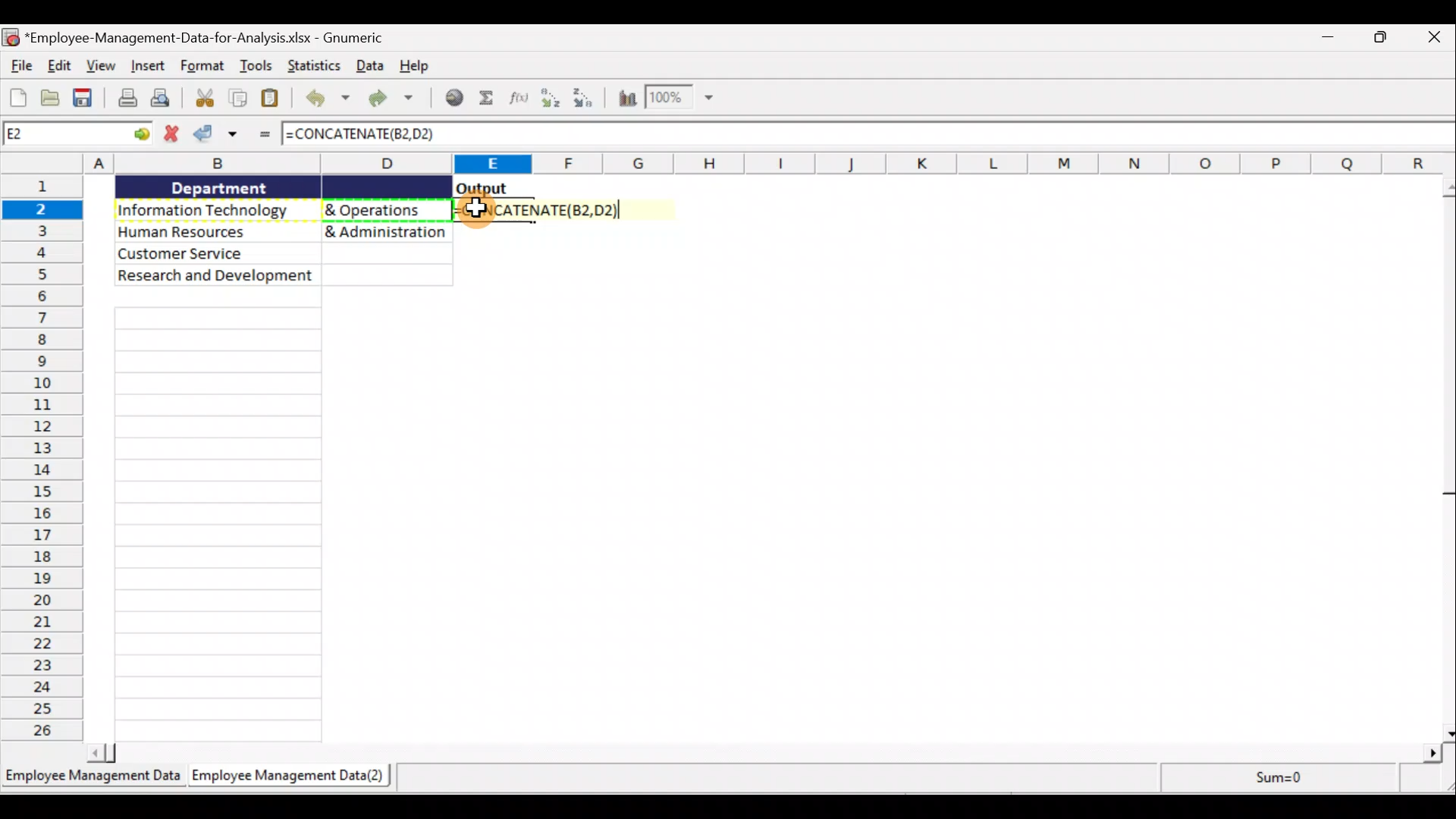 This screenshot has height=819, width=1456. What do you see at coordinates (52, 97) in the screenshot?
I see `Open a file` at bounding box center [52, 97].